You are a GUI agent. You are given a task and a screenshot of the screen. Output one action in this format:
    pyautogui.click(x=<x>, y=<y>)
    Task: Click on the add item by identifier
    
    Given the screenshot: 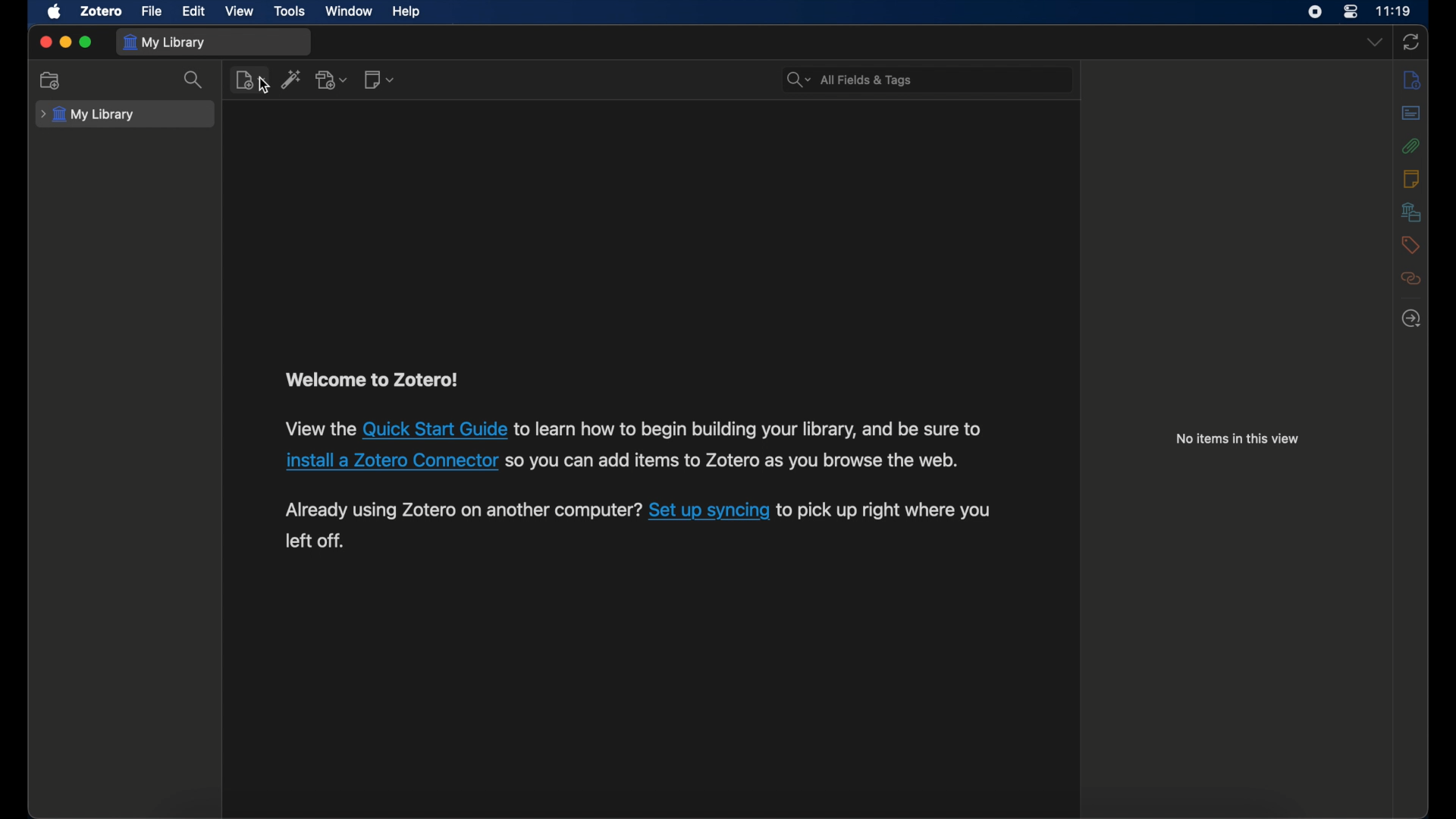 What is the action you would take?
    pyautogui.click(x=291, y=79)
    